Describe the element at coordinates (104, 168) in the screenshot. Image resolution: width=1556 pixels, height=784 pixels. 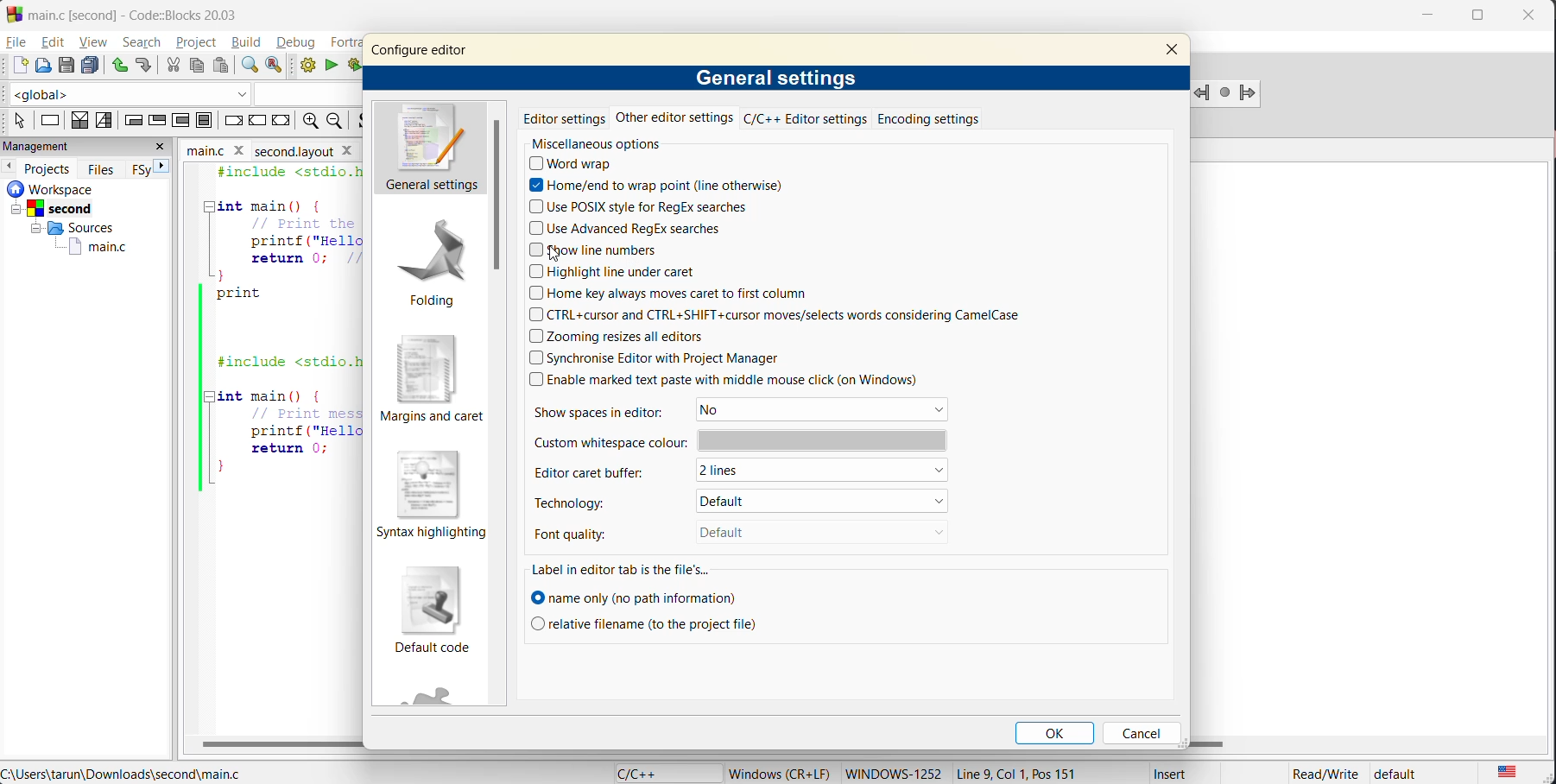
I see `files` at that location.